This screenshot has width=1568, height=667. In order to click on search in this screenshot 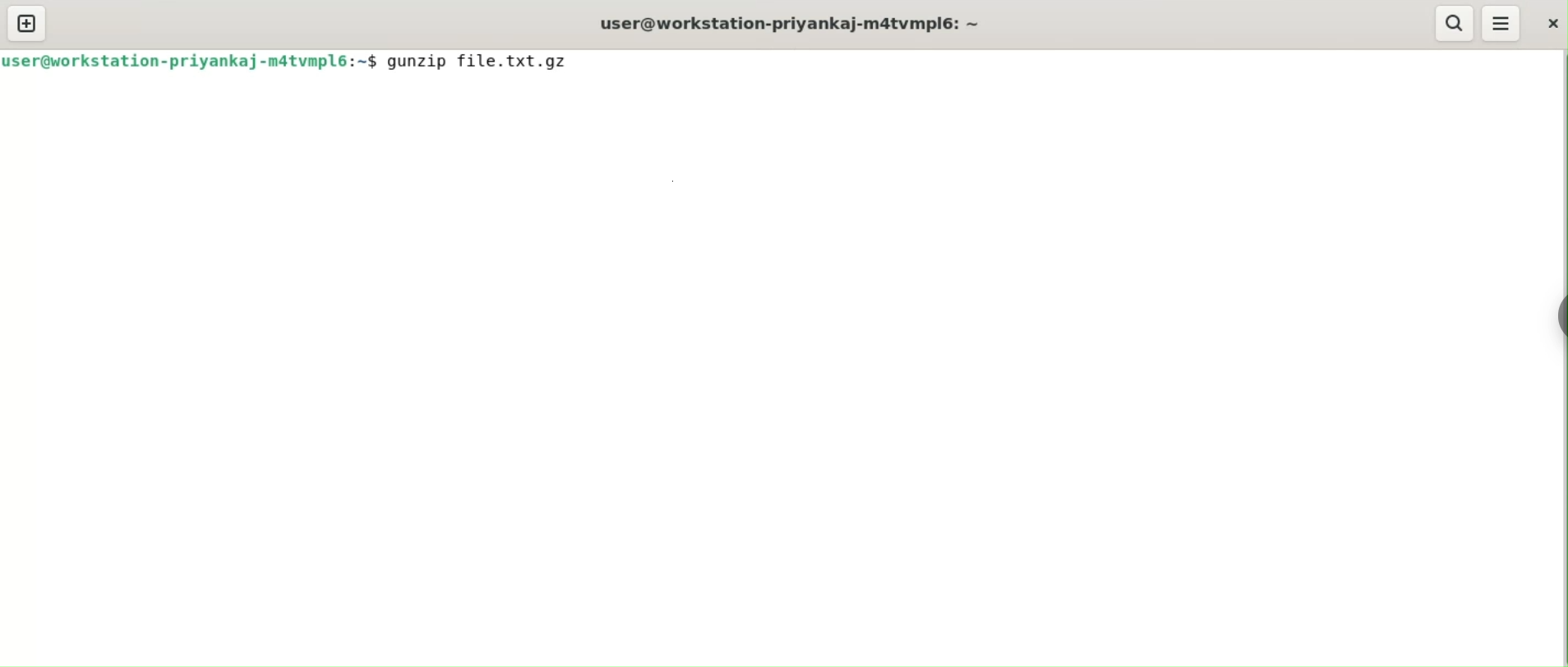, I will do `click(1451, 23)`.